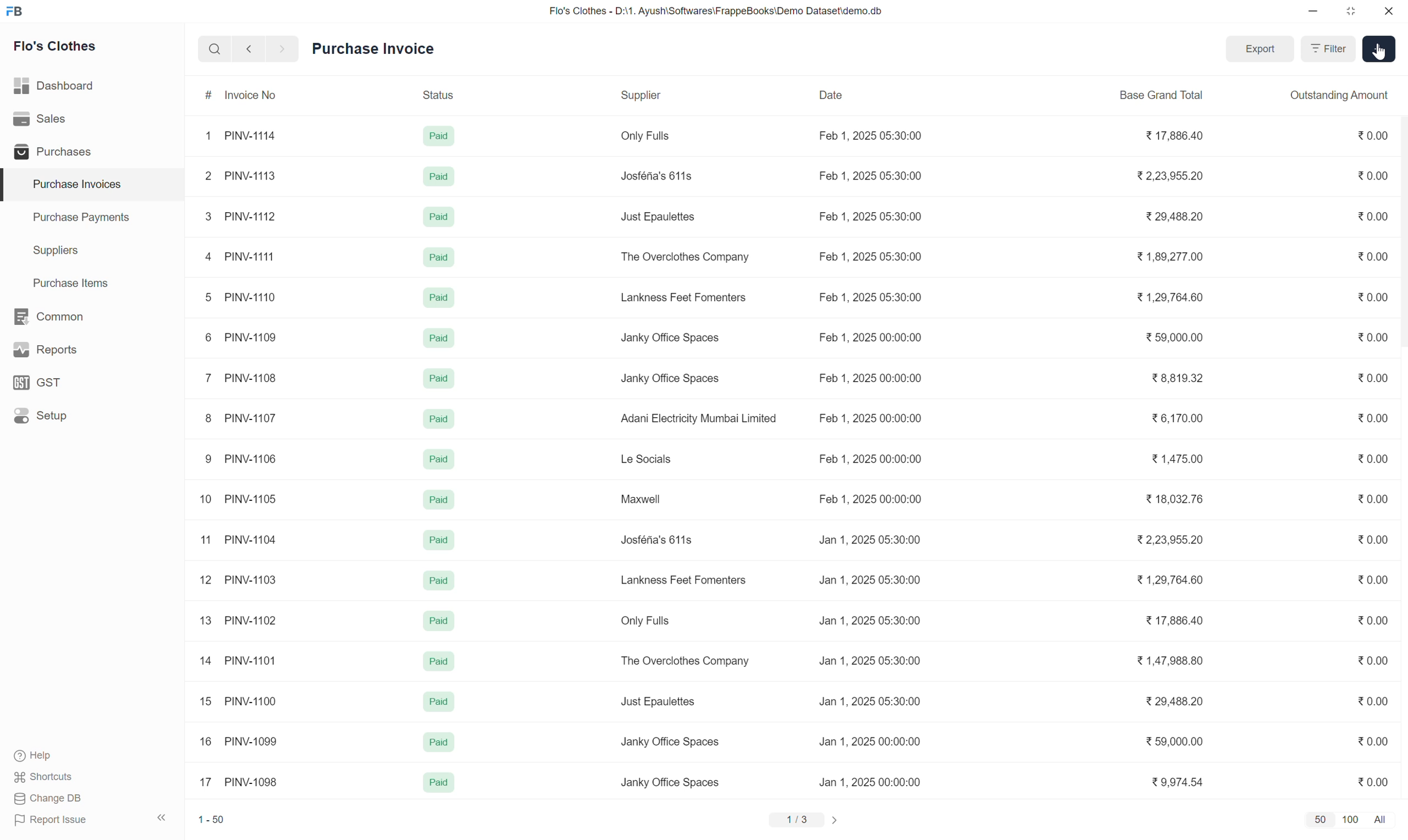 The image size is (1408, 840). What do you see at coordinates (438, 419) in the screenshot?
I see `Paid` at bounding box center [438, 419].